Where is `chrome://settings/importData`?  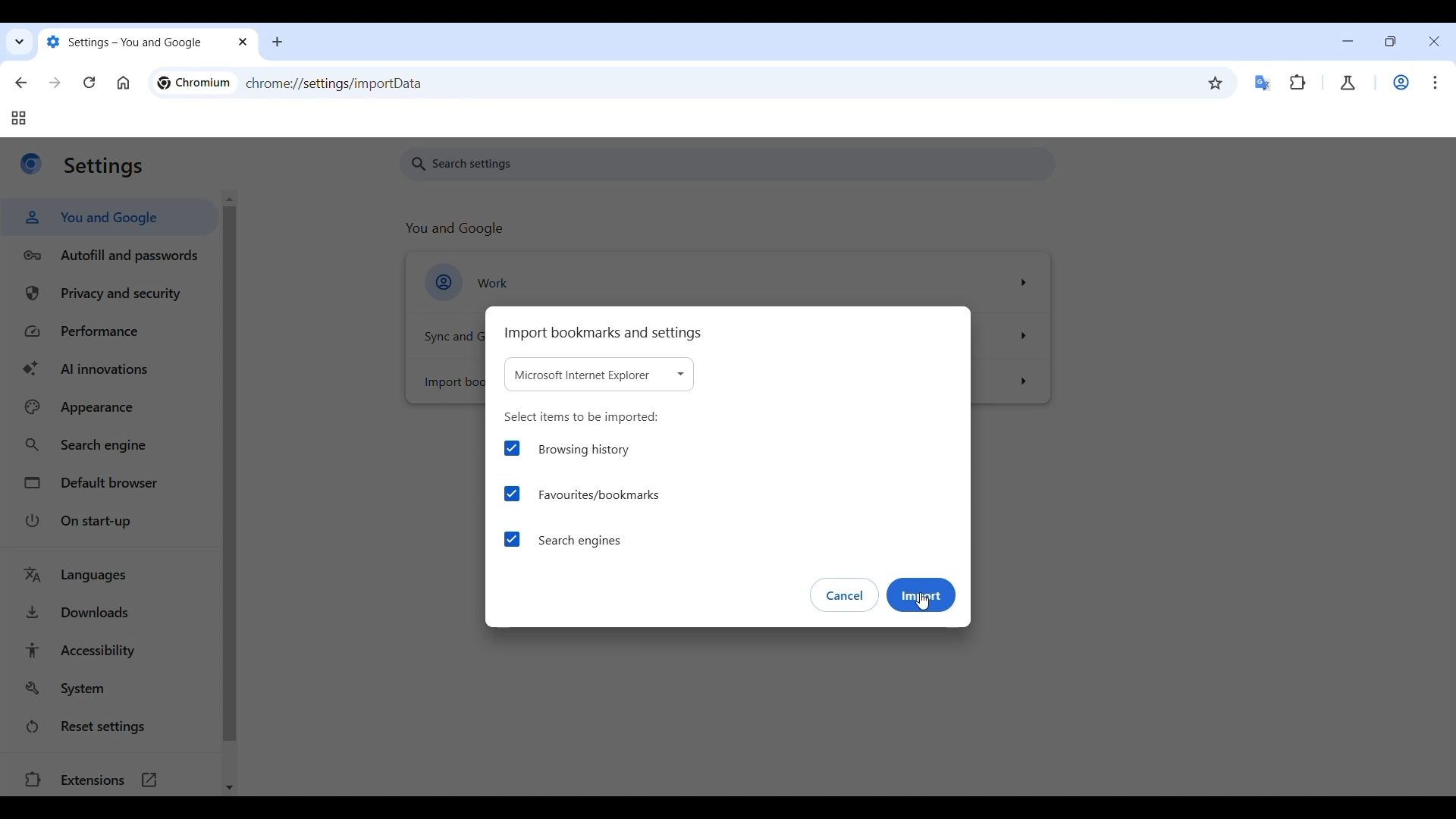
chrome://settings/importData is located at coordinates (334, 83).